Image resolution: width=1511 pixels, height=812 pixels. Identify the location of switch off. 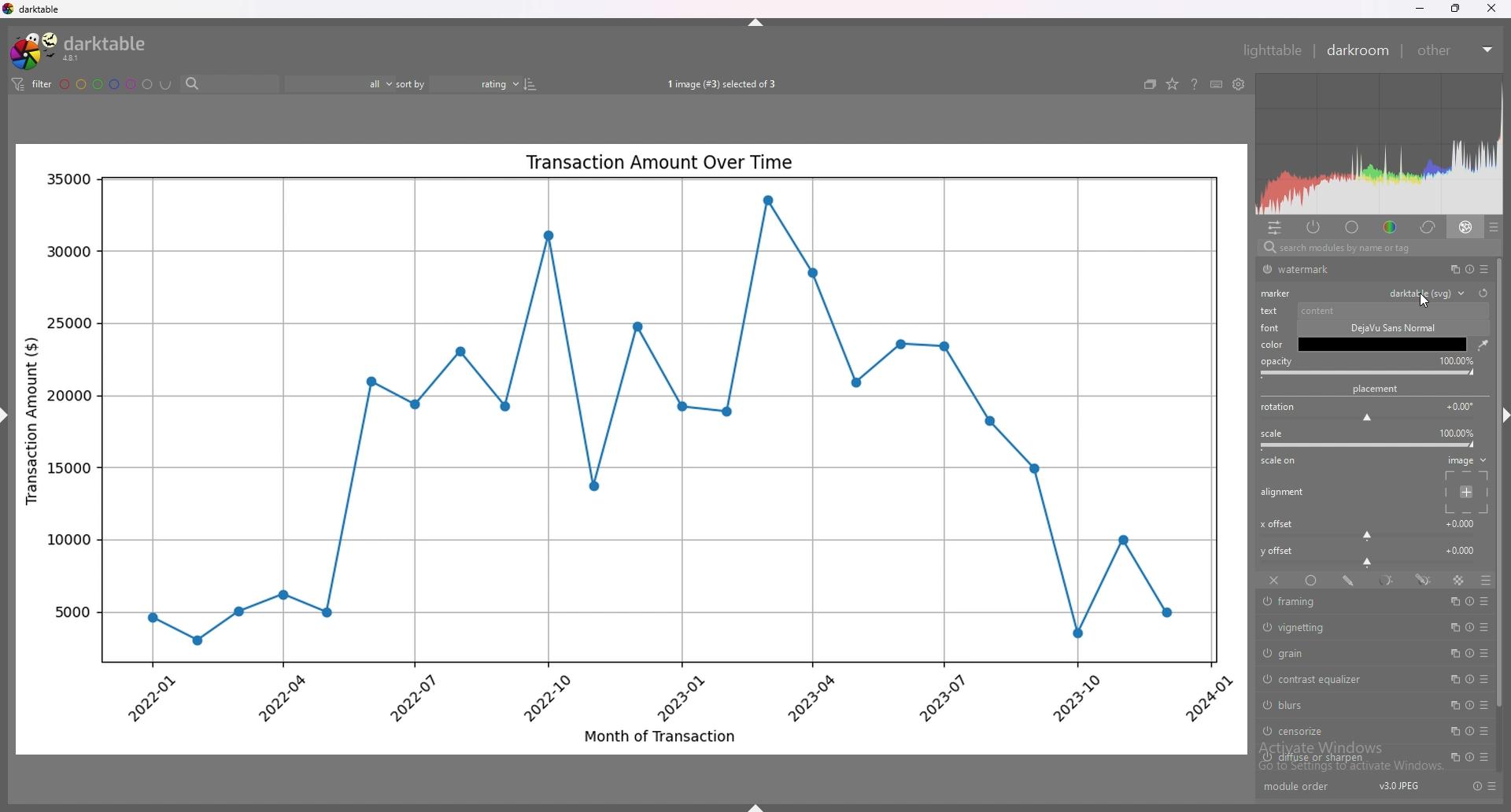
(1265, 652).